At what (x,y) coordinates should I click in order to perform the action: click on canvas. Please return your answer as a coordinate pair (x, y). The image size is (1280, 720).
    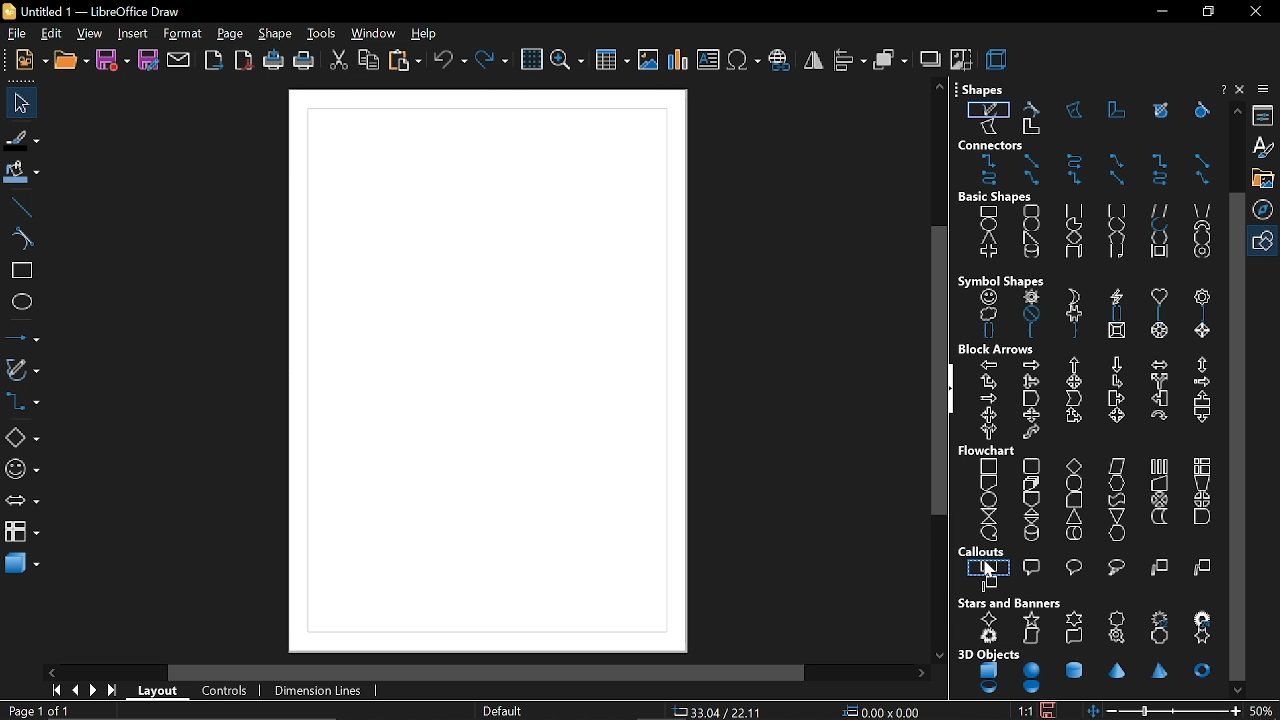
    Looking at the image, I should click on (489, 370).